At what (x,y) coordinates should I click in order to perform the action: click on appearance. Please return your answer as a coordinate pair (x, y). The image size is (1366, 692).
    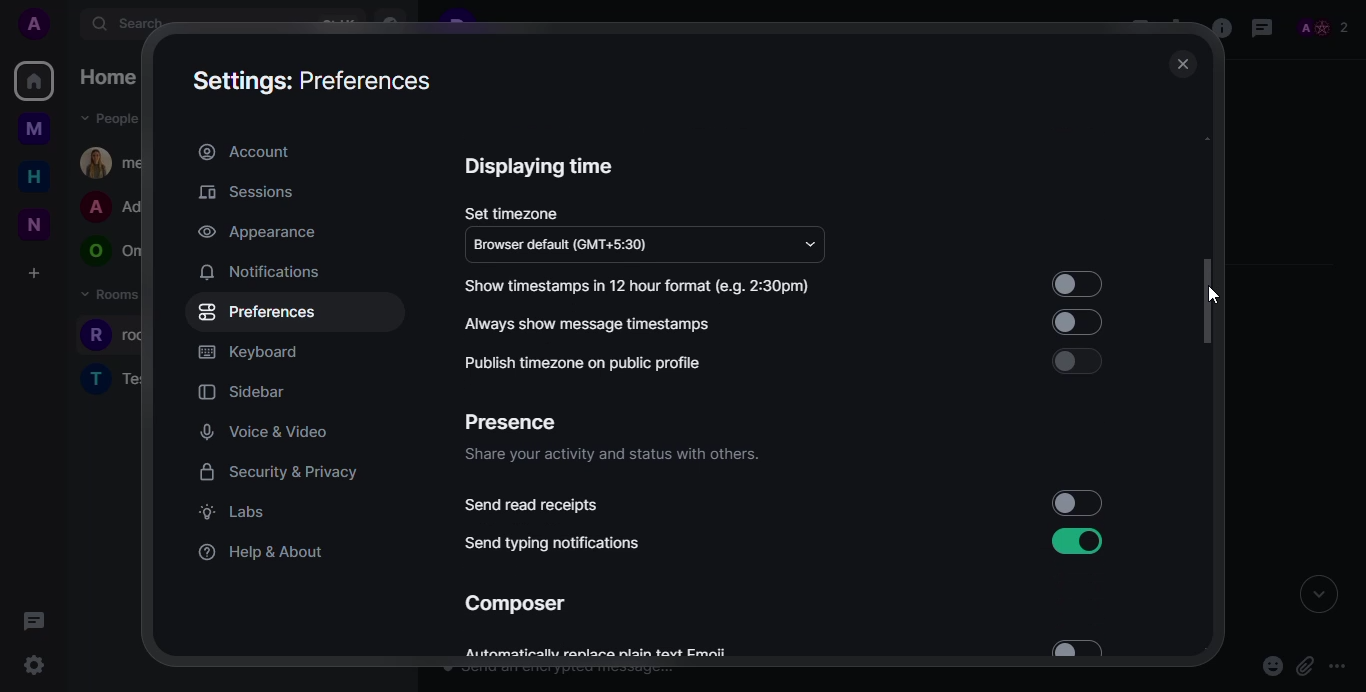
    Looking at the image, I should click on (255, 233).